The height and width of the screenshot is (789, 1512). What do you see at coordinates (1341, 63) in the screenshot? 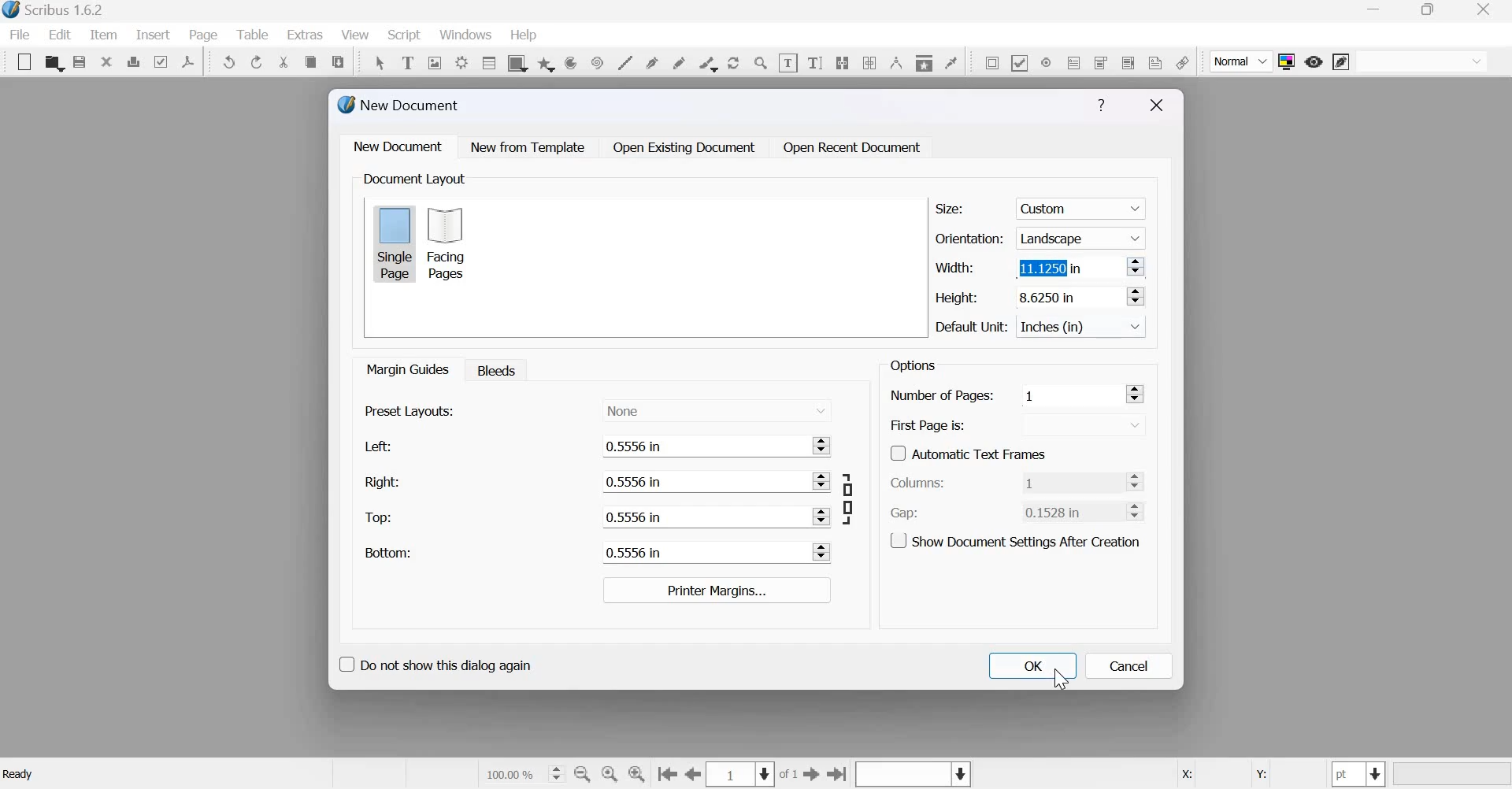
I see `edit in preview mode` at bounding box center [1341, 63].